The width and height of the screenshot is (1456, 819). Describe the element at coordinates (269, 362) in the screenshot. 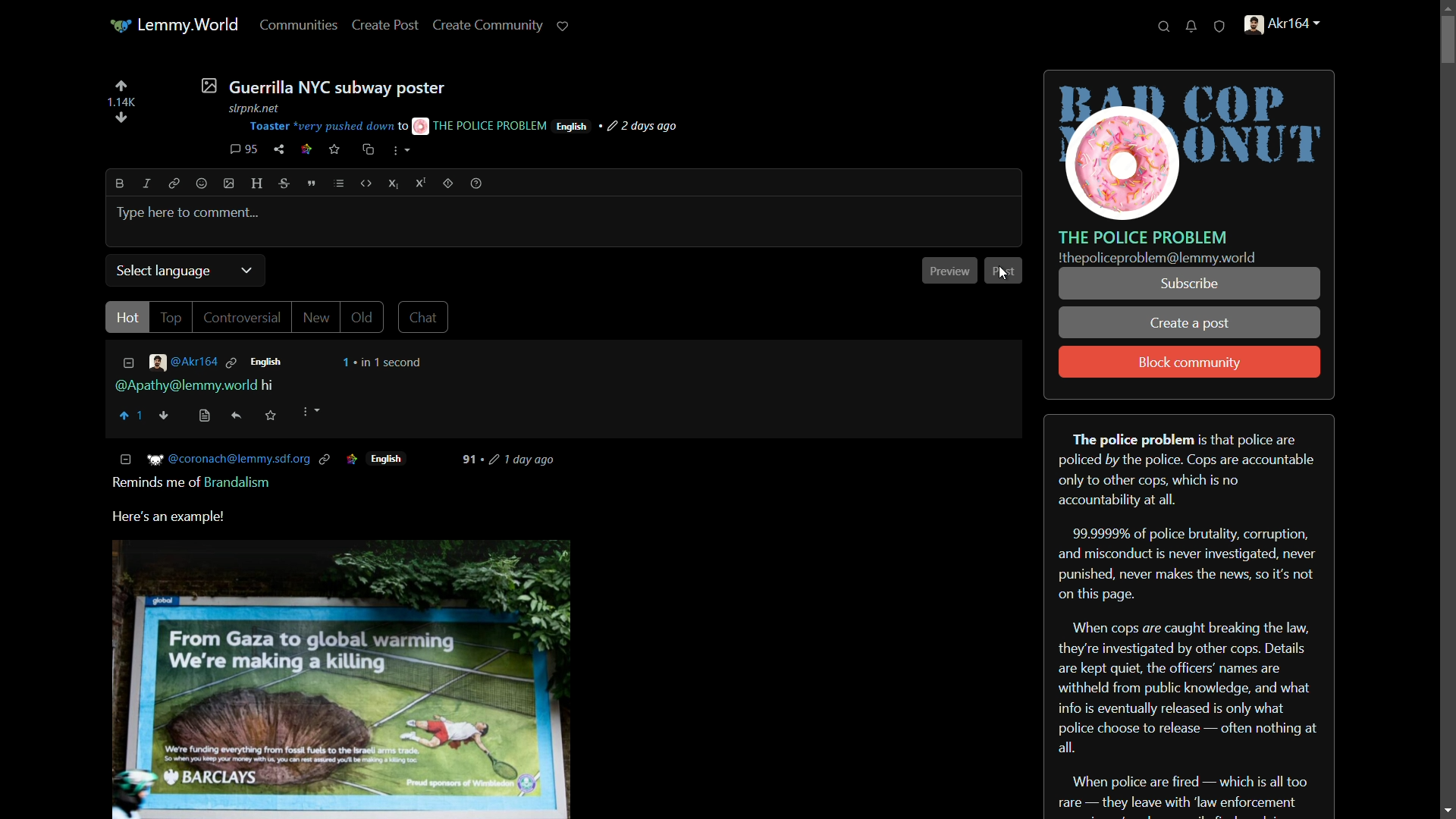

I see `language` at that location.